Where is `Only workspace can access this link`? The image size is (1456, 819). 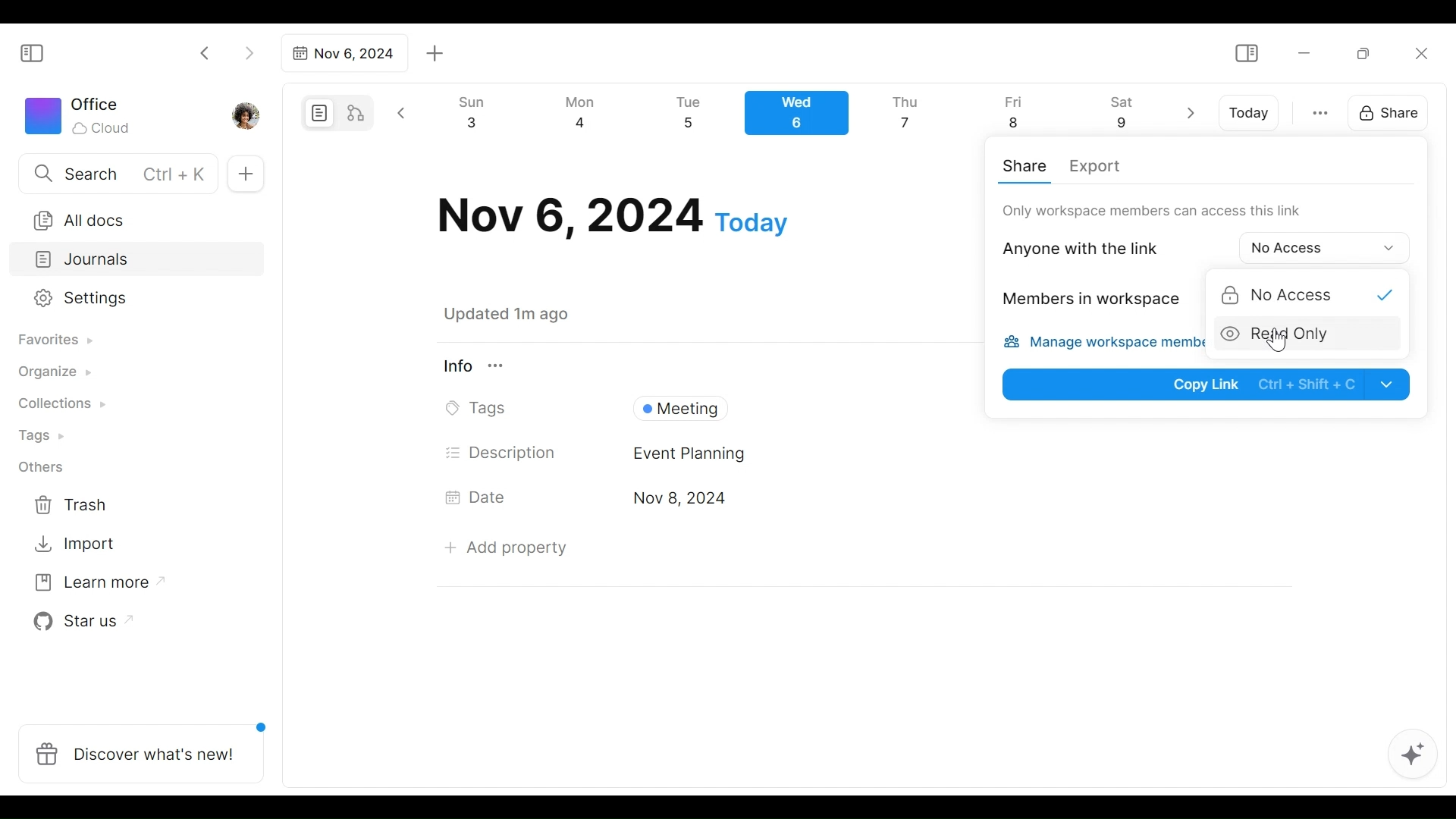
Only workspace can access this link is located at coordinates (1152, 210).